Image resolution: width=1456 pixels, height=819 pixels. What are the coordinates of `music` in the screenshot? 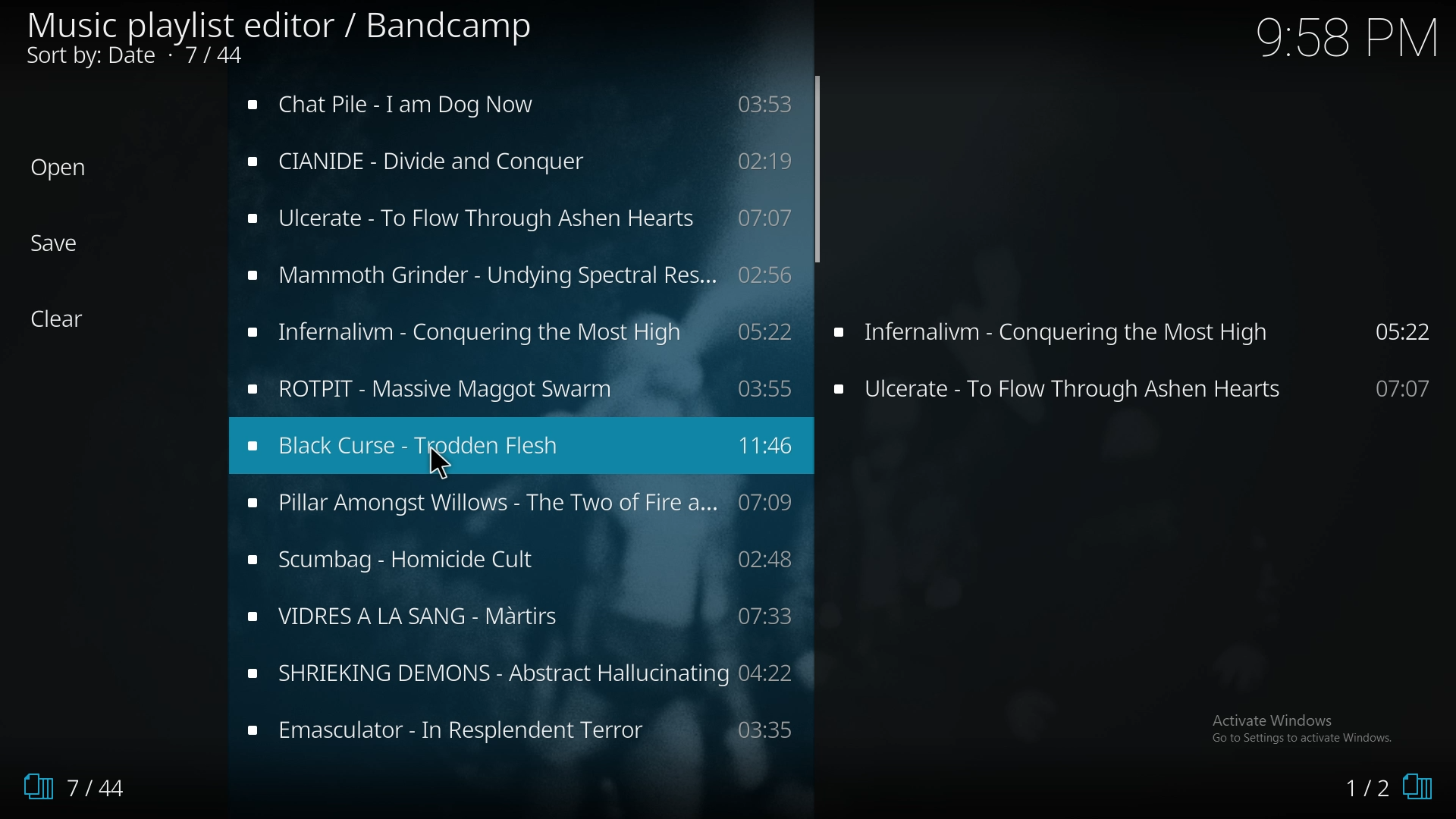 It's located at (523, 504).